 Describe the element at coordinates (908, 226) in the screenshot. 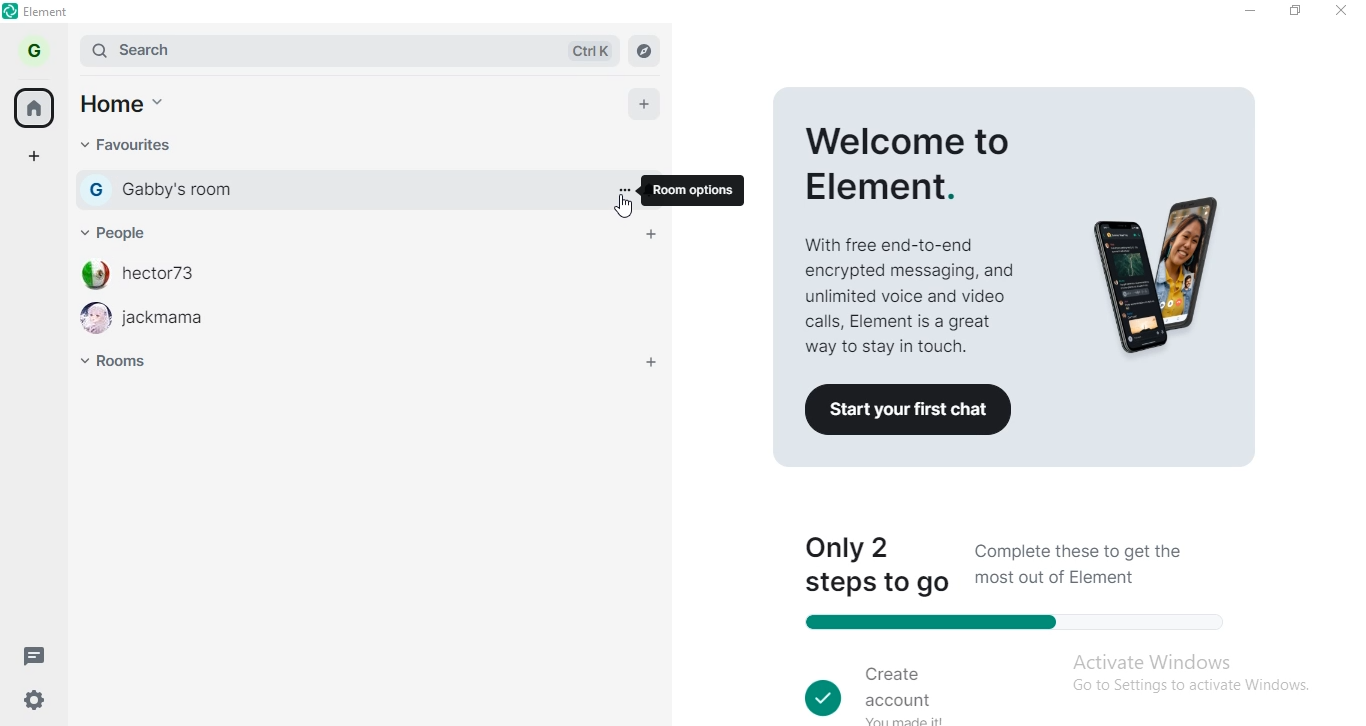

I see `welcome to elements` at that location.